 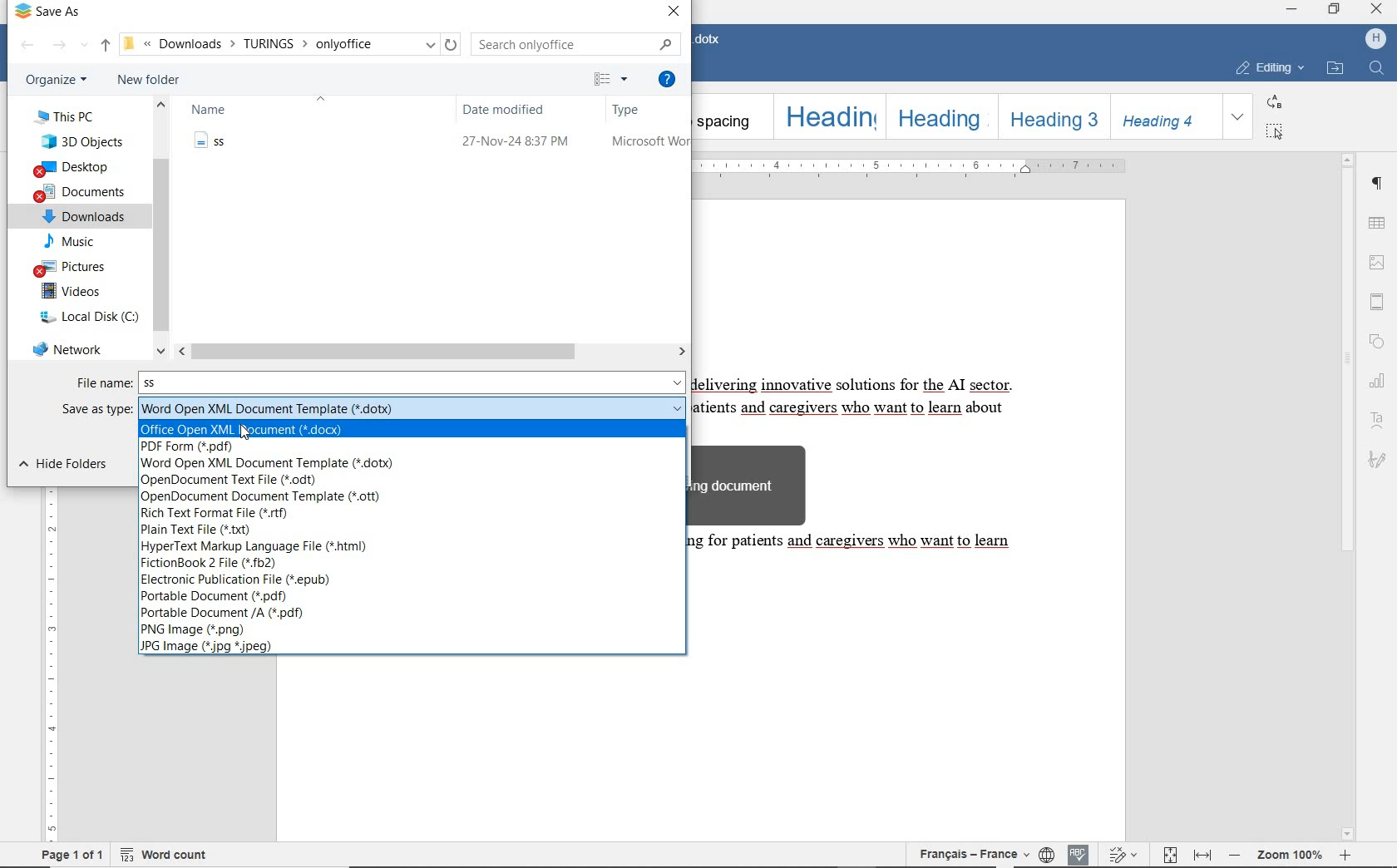 I want to click on PDF, so click(x=196, y=447).